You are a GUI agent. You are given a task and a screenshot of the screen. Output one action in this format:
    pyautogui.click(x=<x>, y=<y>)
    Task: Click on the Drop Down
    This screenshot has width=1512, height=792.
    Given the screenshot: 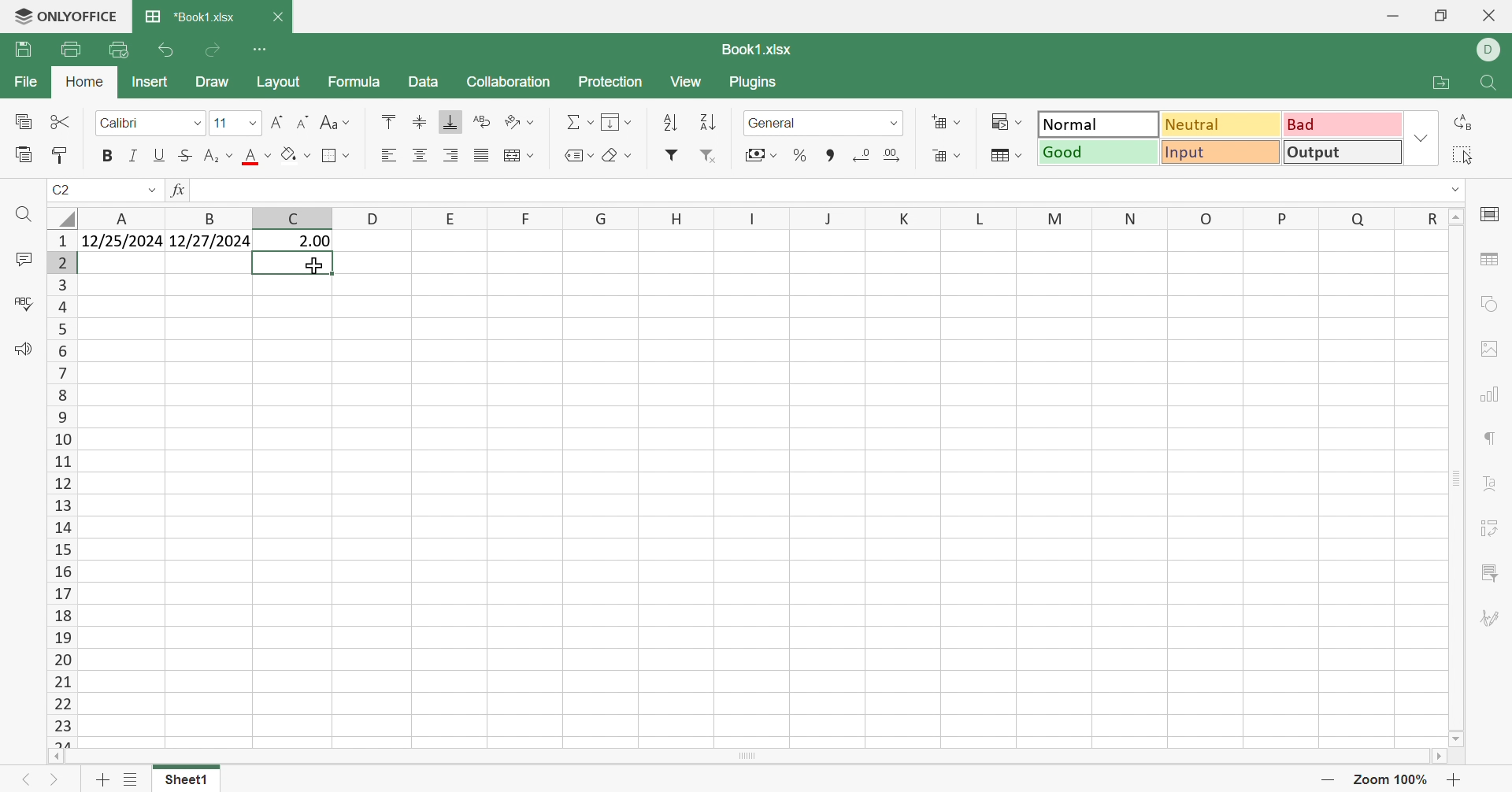 What is the action you would take?
    pyautogui.click(x=254, y=124)
    